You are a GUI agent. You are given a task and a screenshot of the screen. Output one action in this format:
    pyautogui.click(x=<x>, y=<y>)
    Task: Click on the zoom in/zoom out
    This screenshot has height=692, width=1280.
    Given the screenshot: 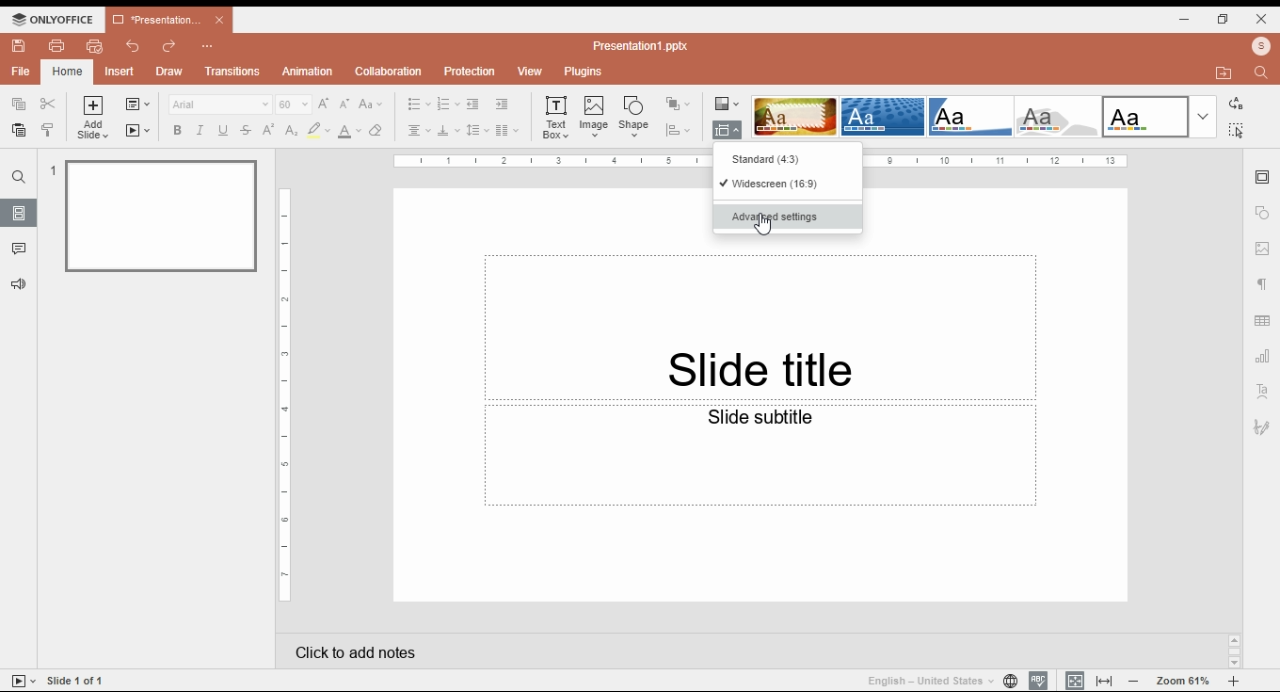 What is the action you would take?
    pyautogui.click(x=1234, y=681)
    